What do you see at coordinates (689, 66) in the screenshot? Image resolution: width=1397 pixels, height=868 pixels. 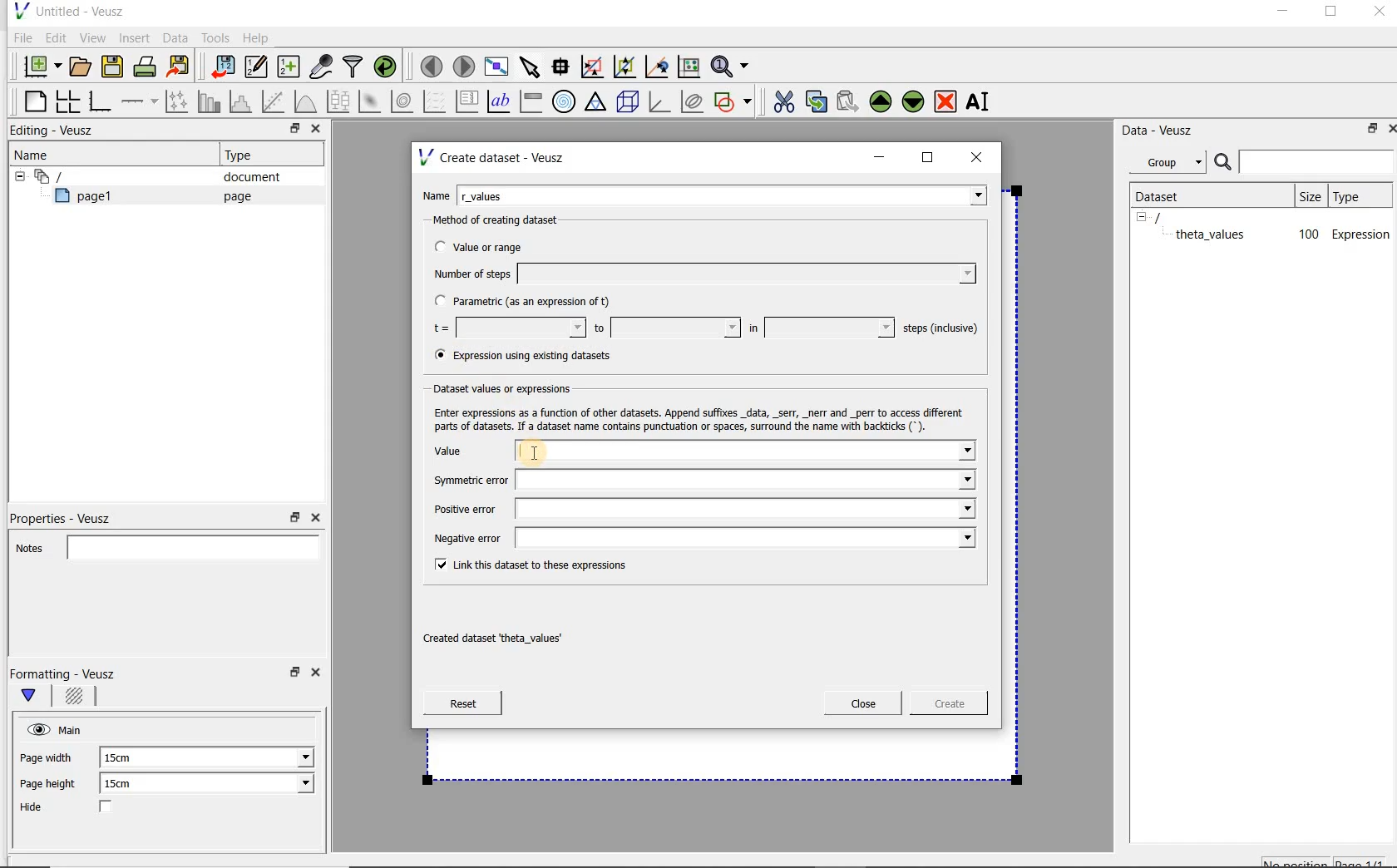 I see `click to reset graph axes` at bounding box center [689, 66].